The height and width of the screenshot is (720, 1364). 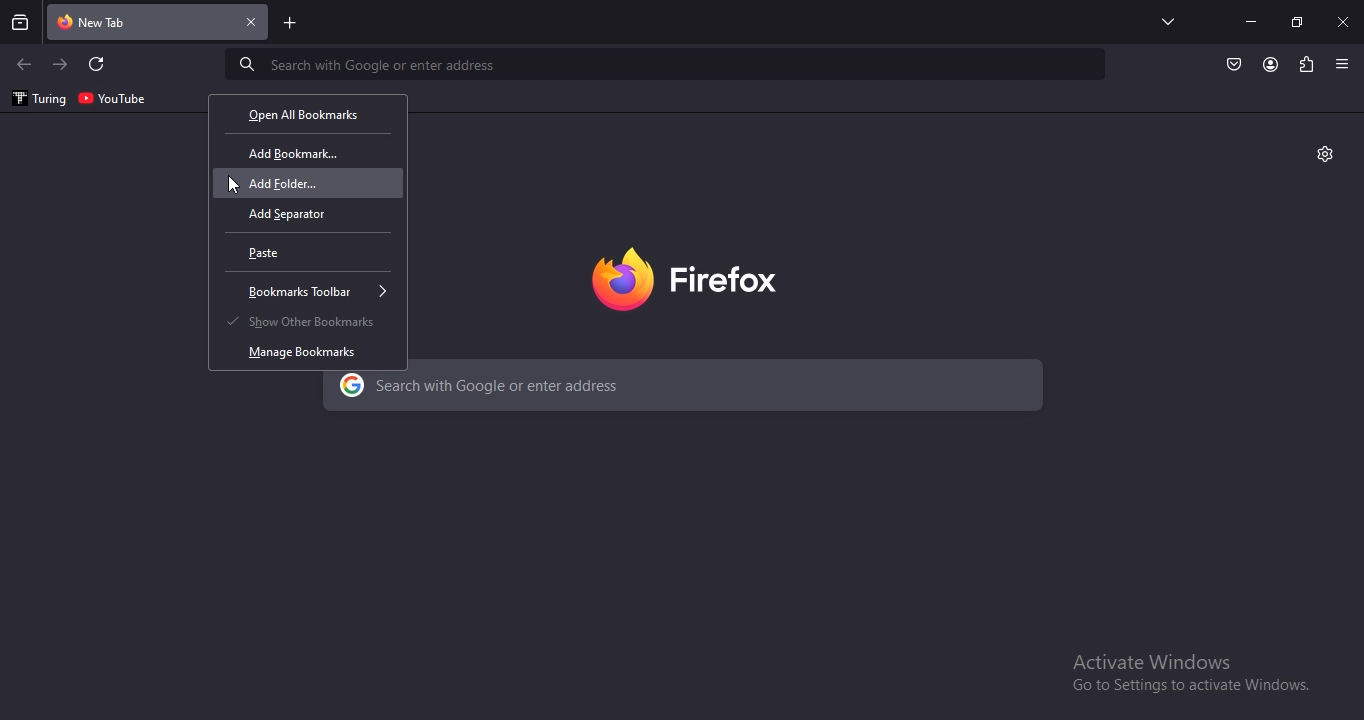 What do you see at coordinates (1170, 21) in the screenshot?
I see `search tabs` at bounding box center [1170, 21].